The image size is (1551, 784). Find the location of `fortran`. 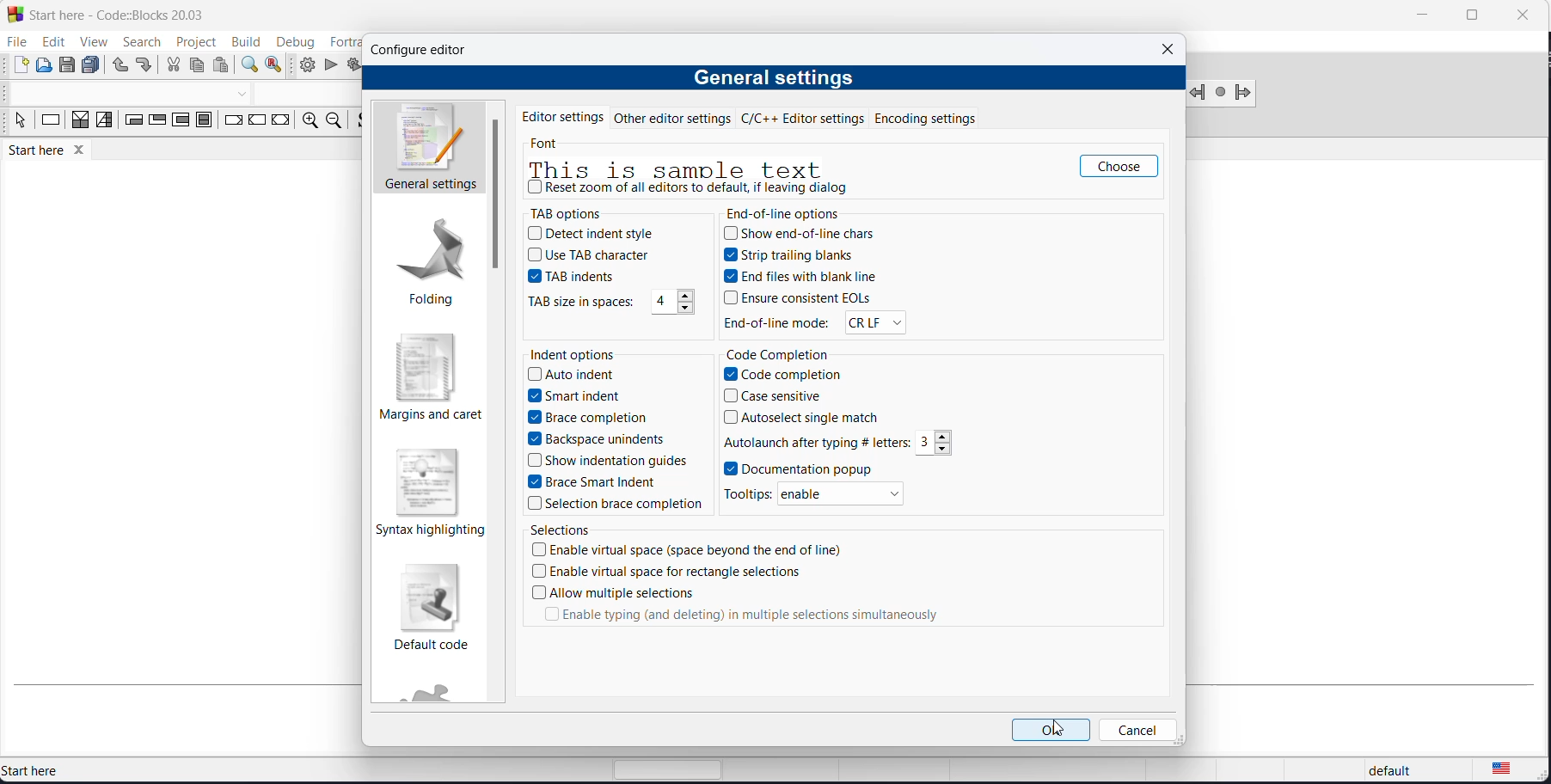

fortran is located at coordinates (340, 40).